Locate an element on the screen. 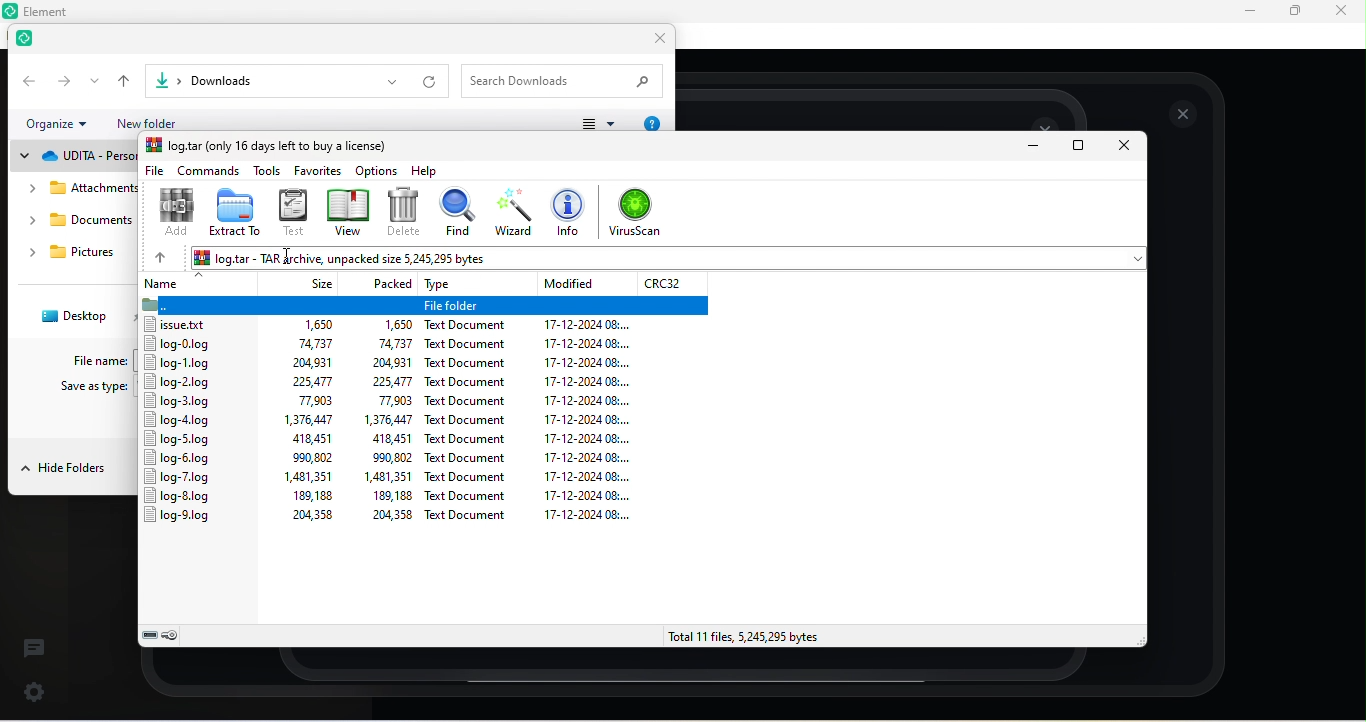 The image size is (1366, 722). 1,650 is located at coordinates (319, 325).